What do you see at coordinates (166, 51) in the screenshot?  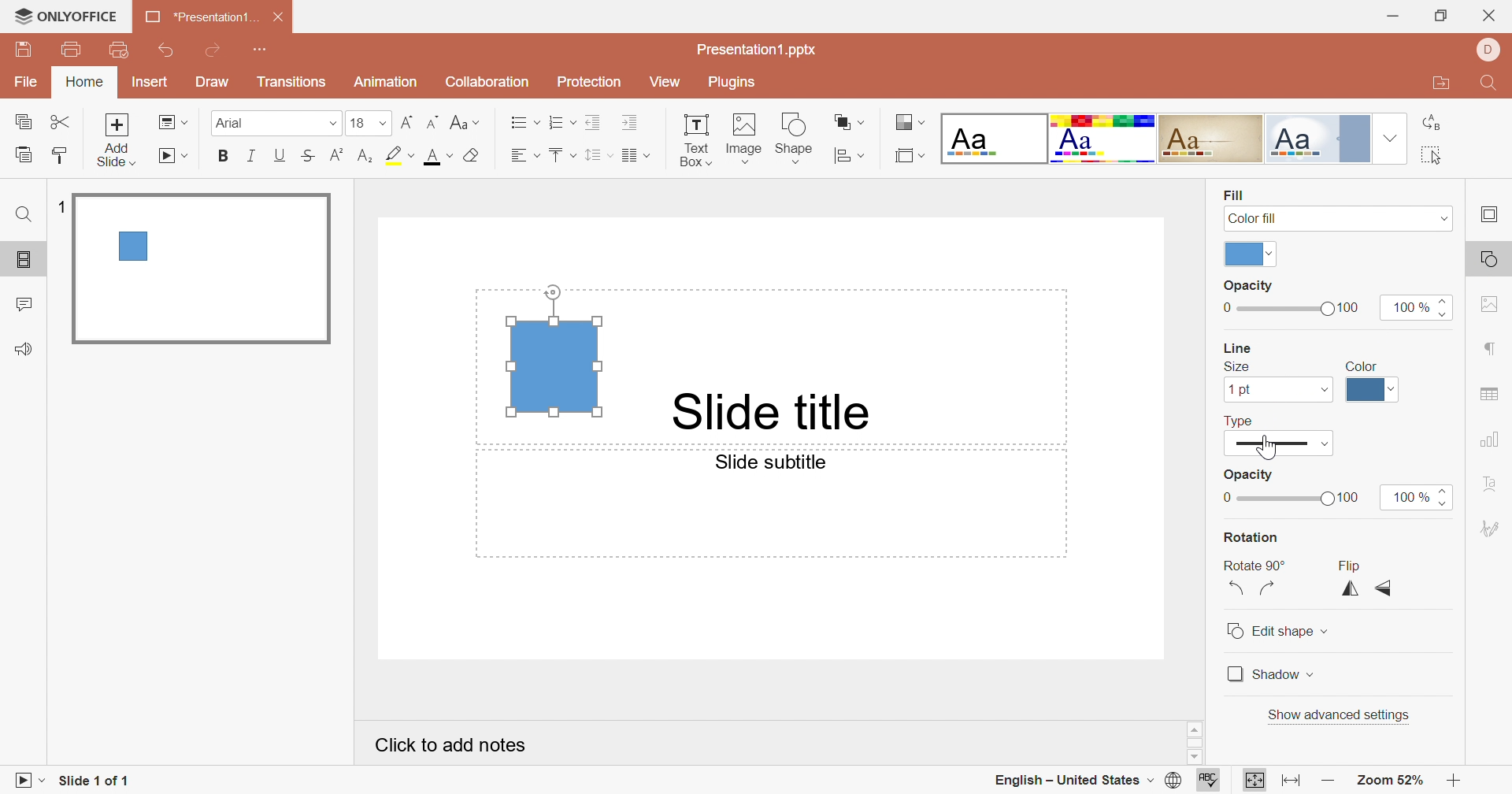 I see `Undo` at bounding box center [166, 51].